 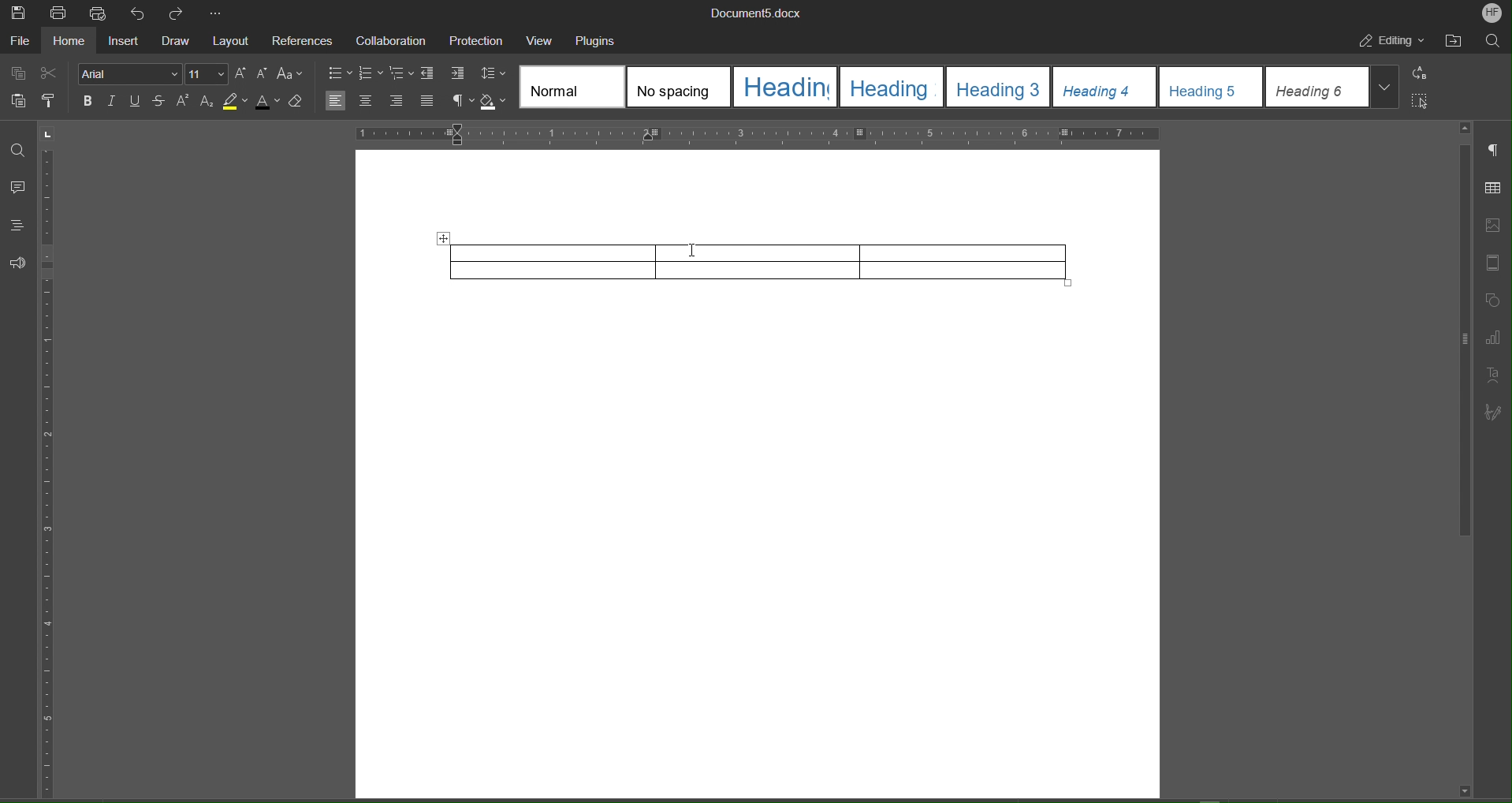 I want to click on Save, so click(x=17, y=13).